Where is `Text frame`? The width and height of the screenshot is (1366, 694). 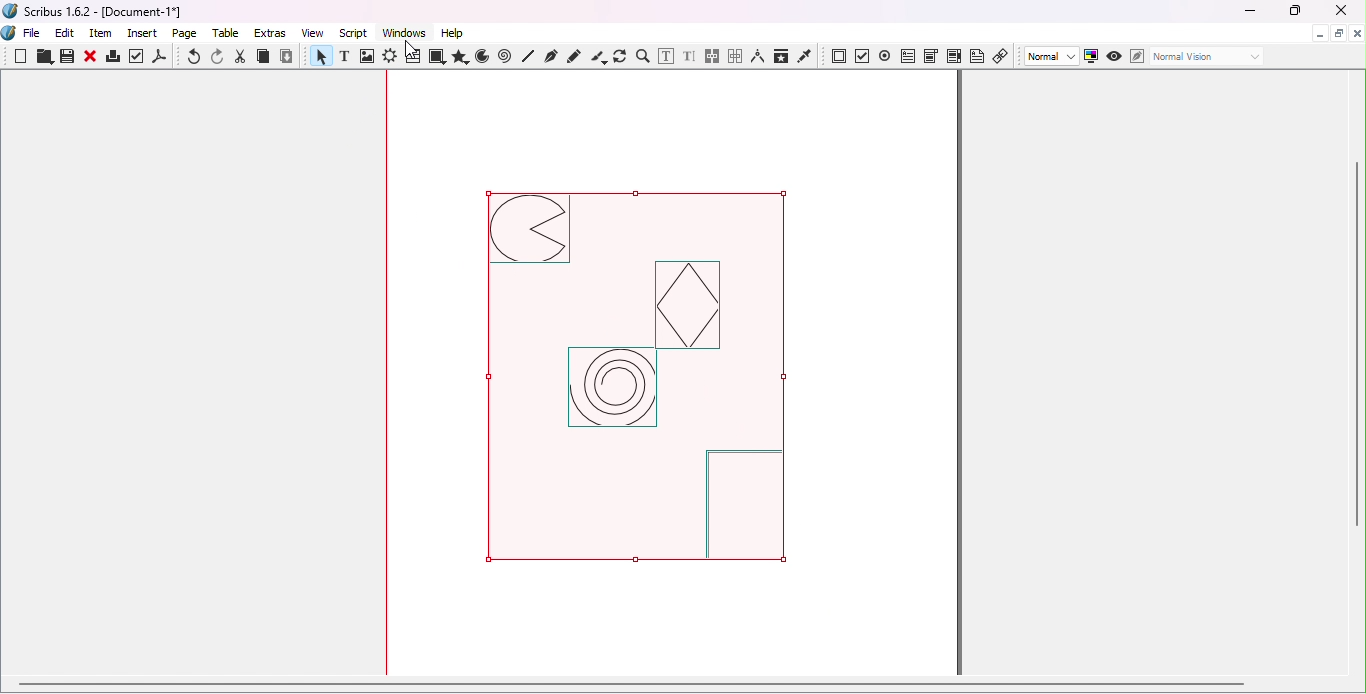
Text frame is located at coordinates (348, 58).